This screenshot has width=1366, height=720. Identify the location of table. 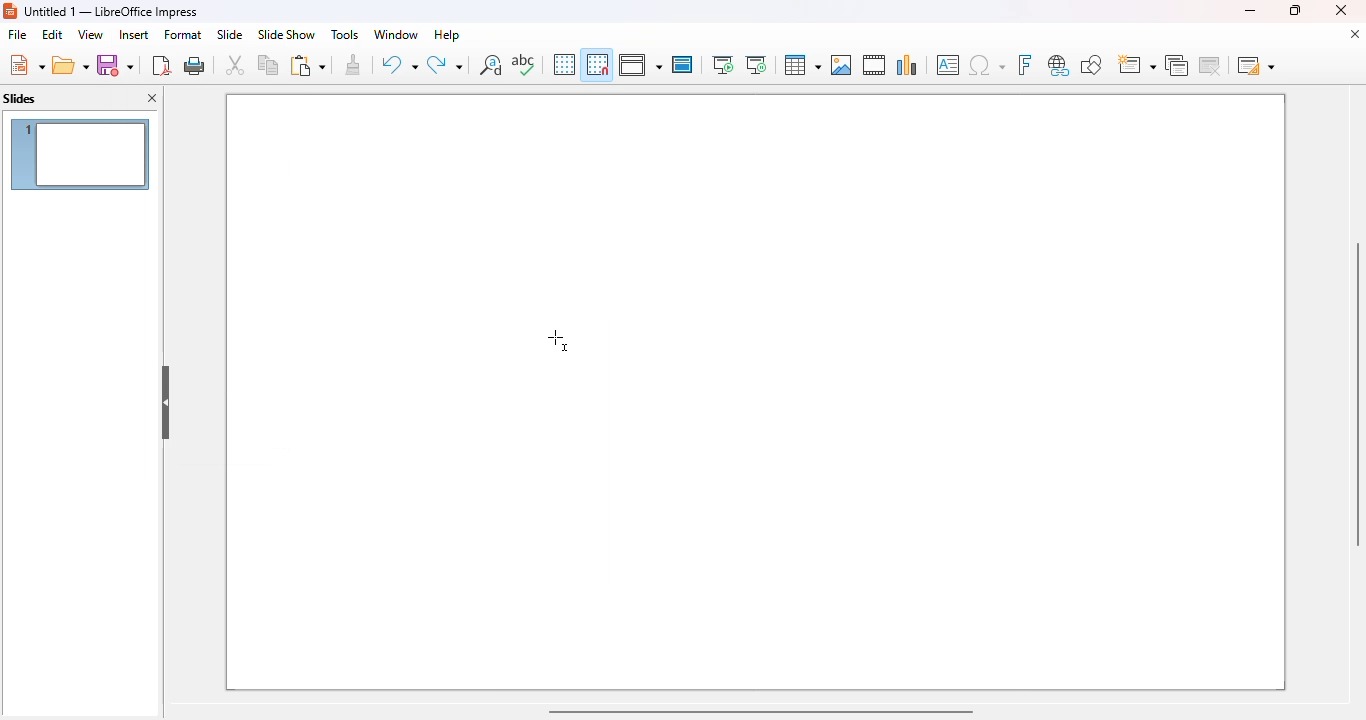
(801, 65).